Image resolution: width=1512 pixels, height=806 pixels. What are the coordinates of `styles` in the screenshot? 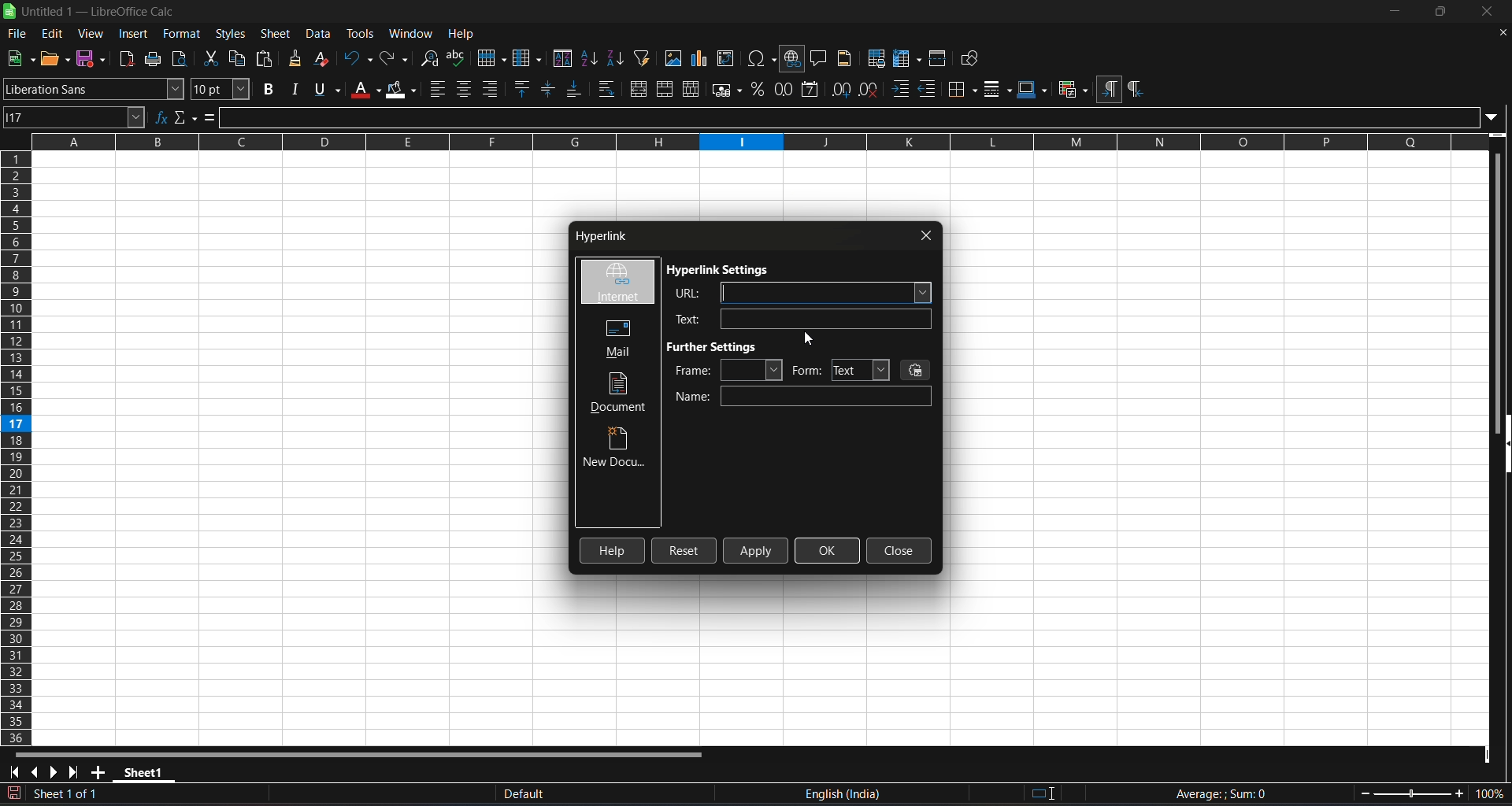 It's located at (231, 34).